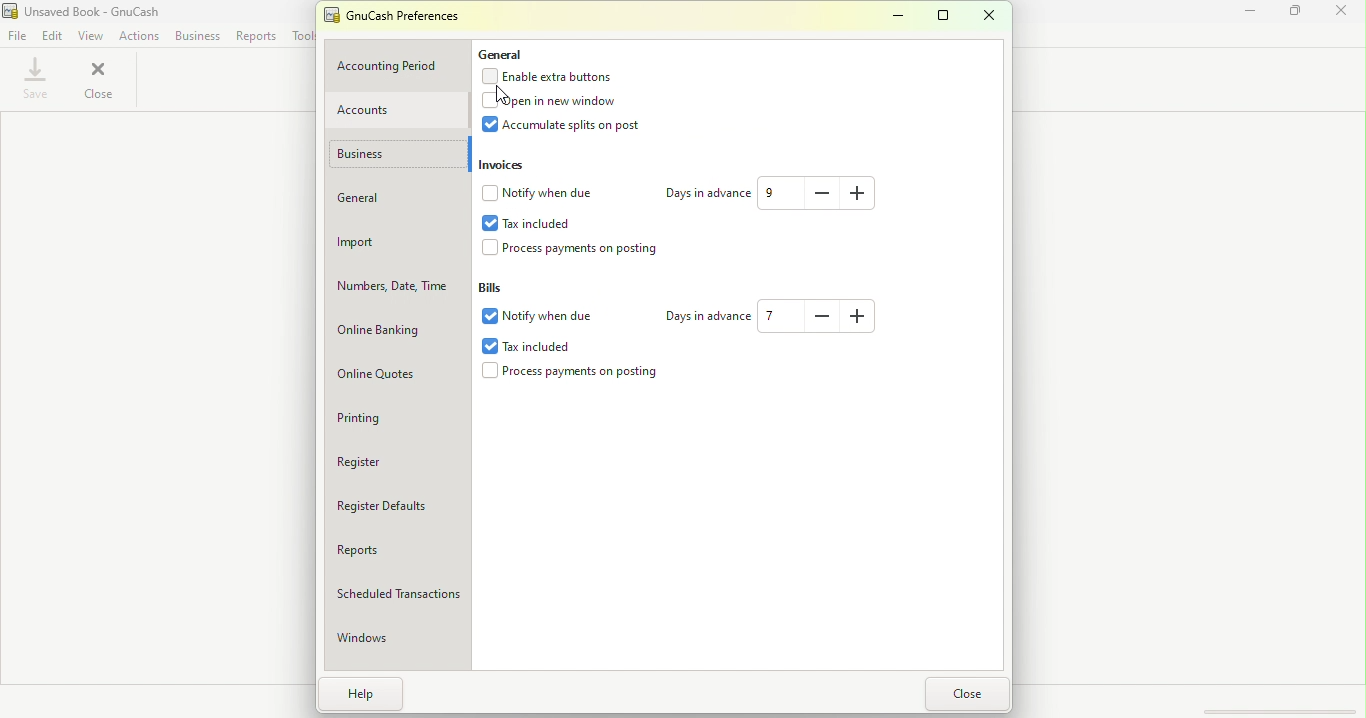 The width and height of the screenshot is (1366, 718). I want to click on Maximize, so click(940, 20).